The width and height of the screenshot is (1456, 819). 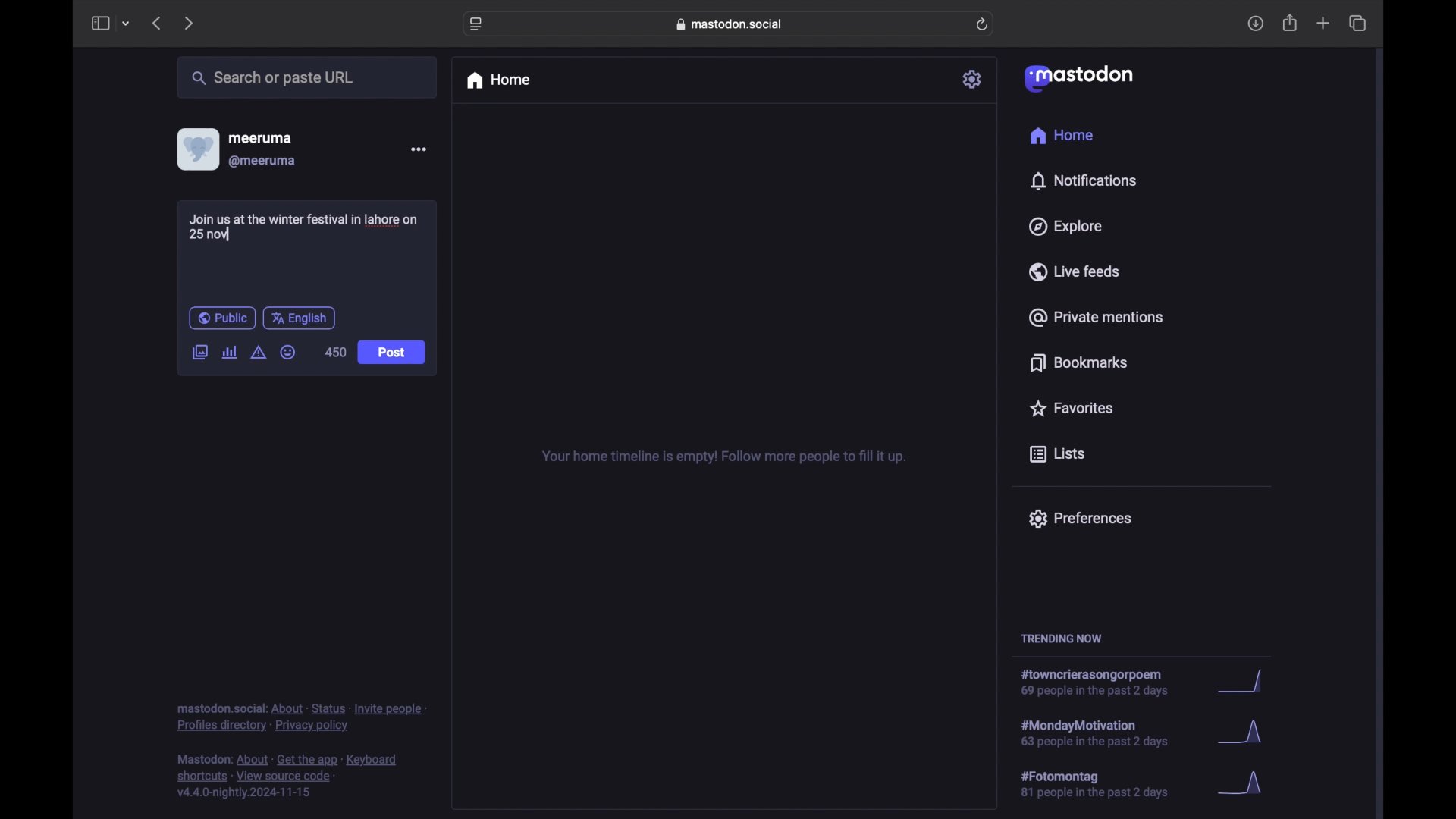 I want to click on add image, so click(x=199, y=353).